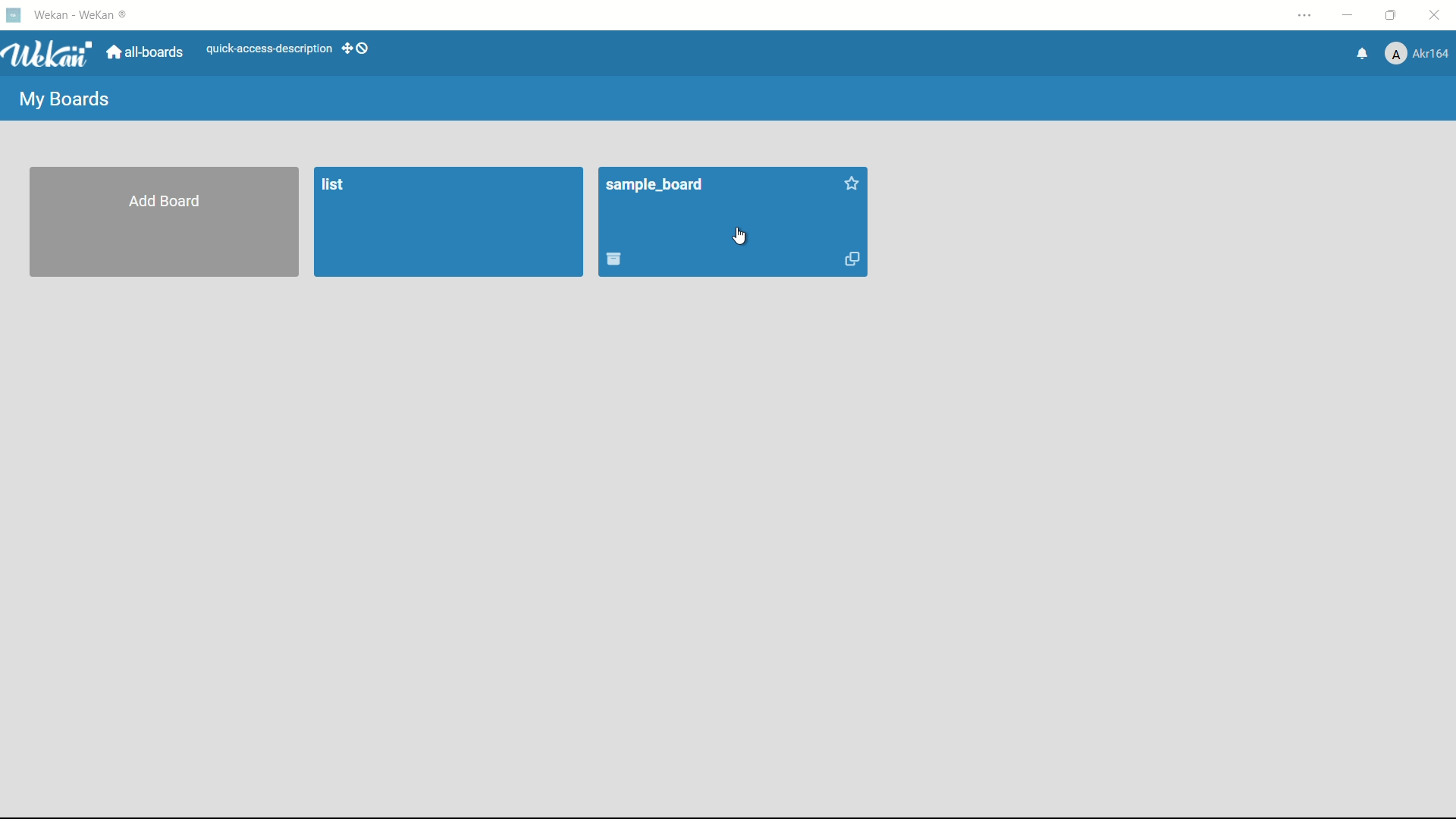 The width and height of the screenshot is (1456, 819). What do you see at coordinates (147, 52) in the screenshot?
I see `all boards` at bounding box center [147, 52].